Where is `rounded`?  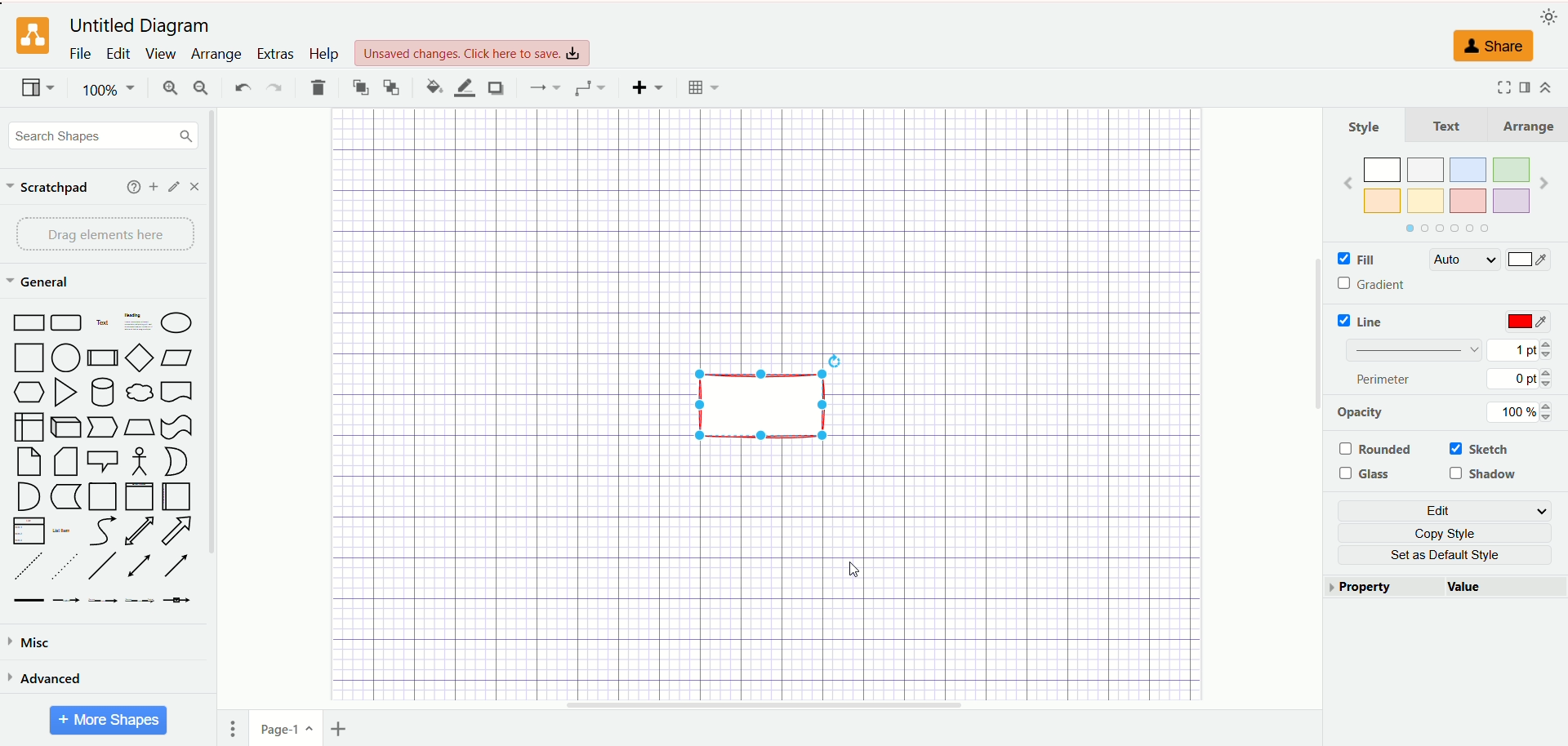 rounded is located at coordinates (1376, 449).